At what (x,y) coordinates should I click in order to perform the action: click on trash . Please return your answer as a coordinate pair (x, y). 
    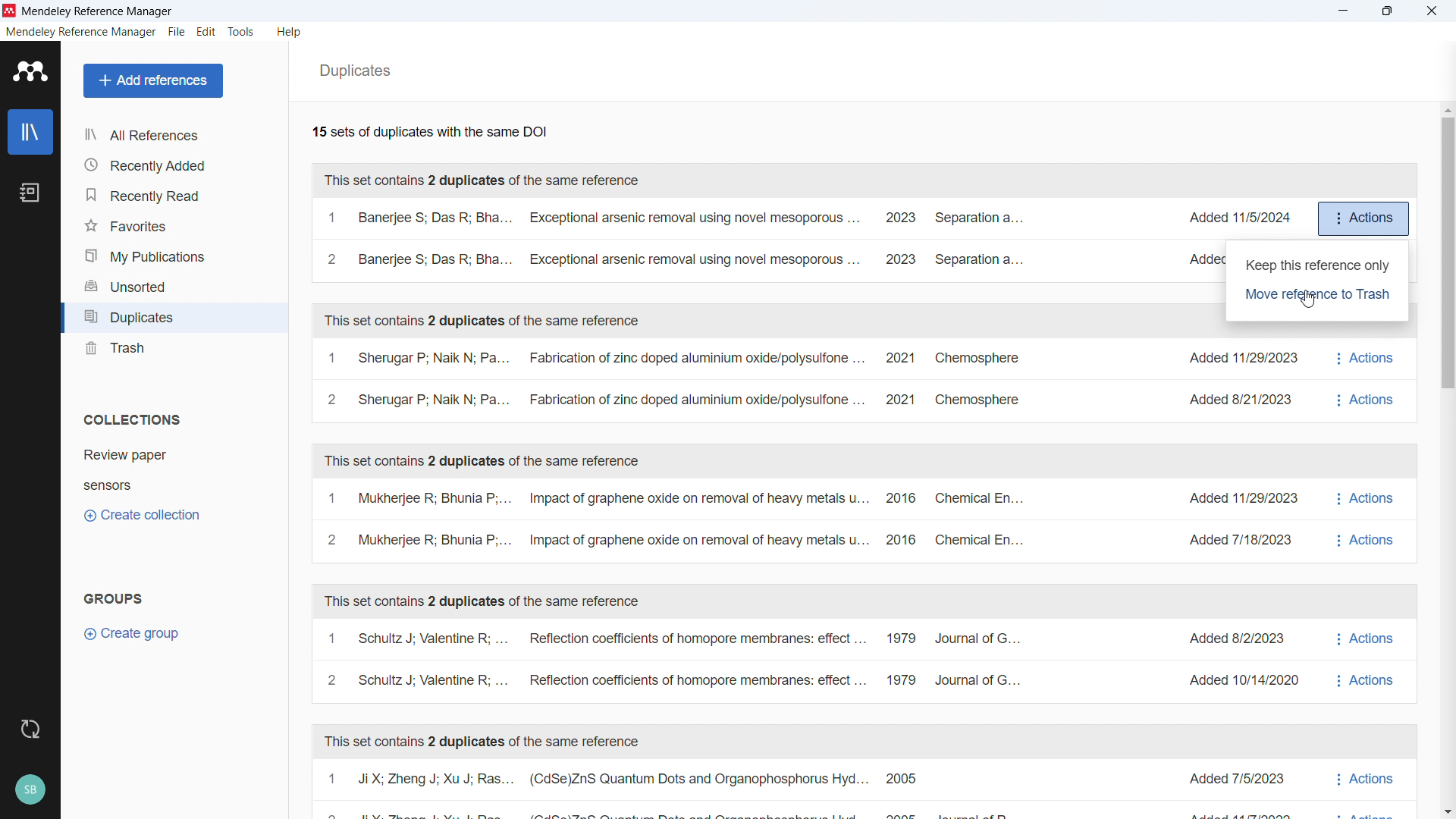
    Looking at the image, I should click on (173, 350).